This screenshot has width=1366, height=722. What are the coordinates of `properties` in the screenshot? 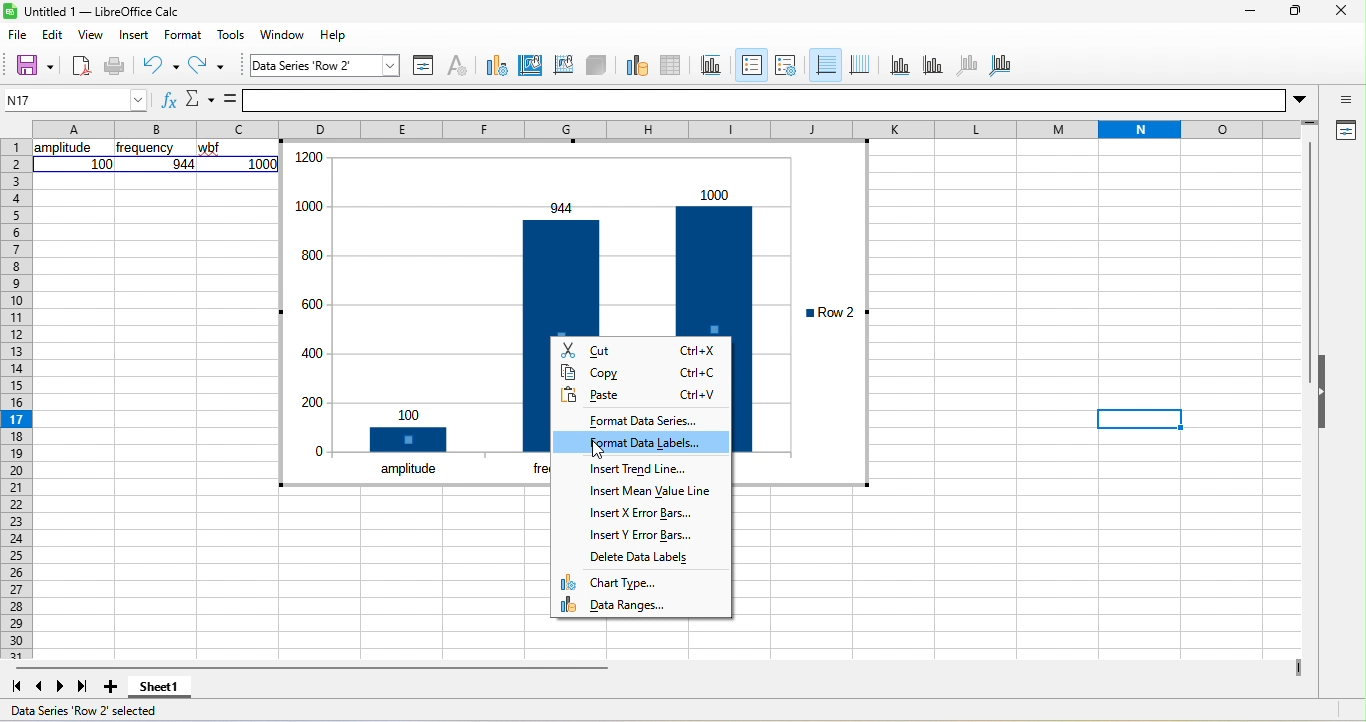 It's located at (1342, 130).